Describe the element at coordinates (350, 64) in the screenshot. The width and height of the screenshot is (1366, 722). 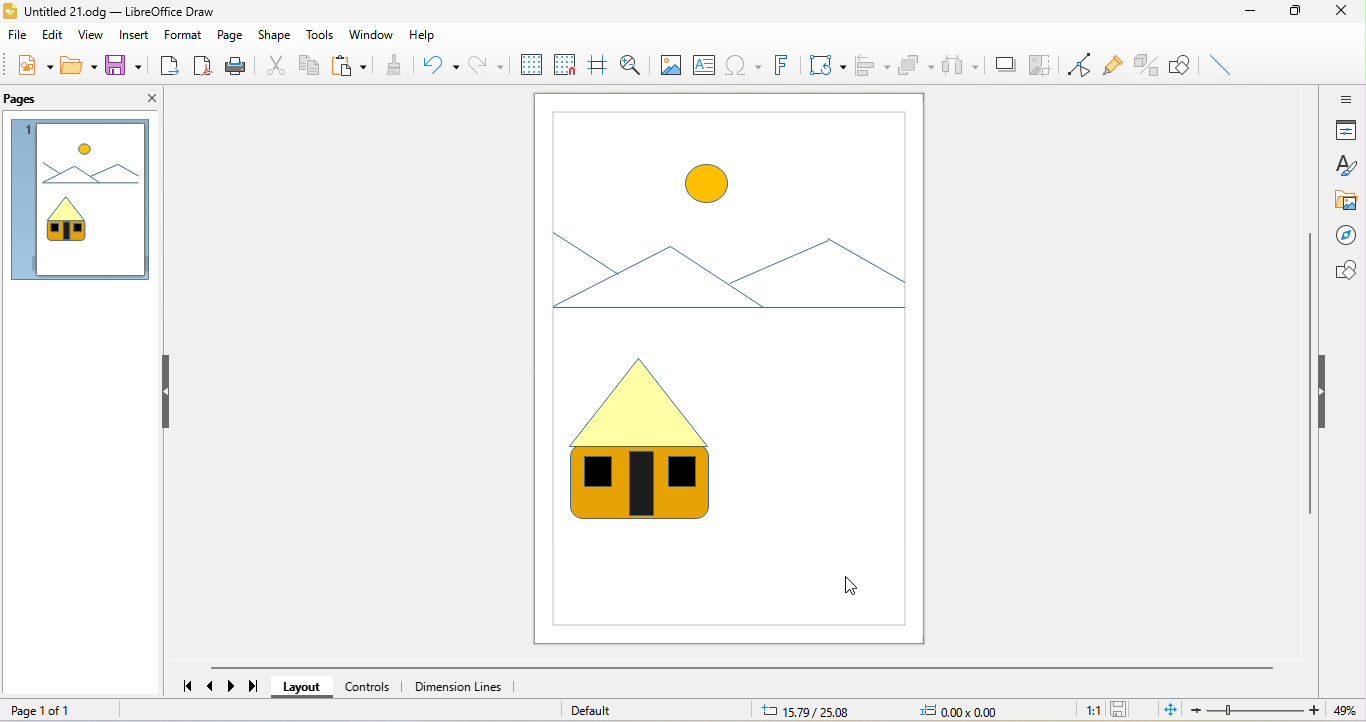
I see `paste` at that location.